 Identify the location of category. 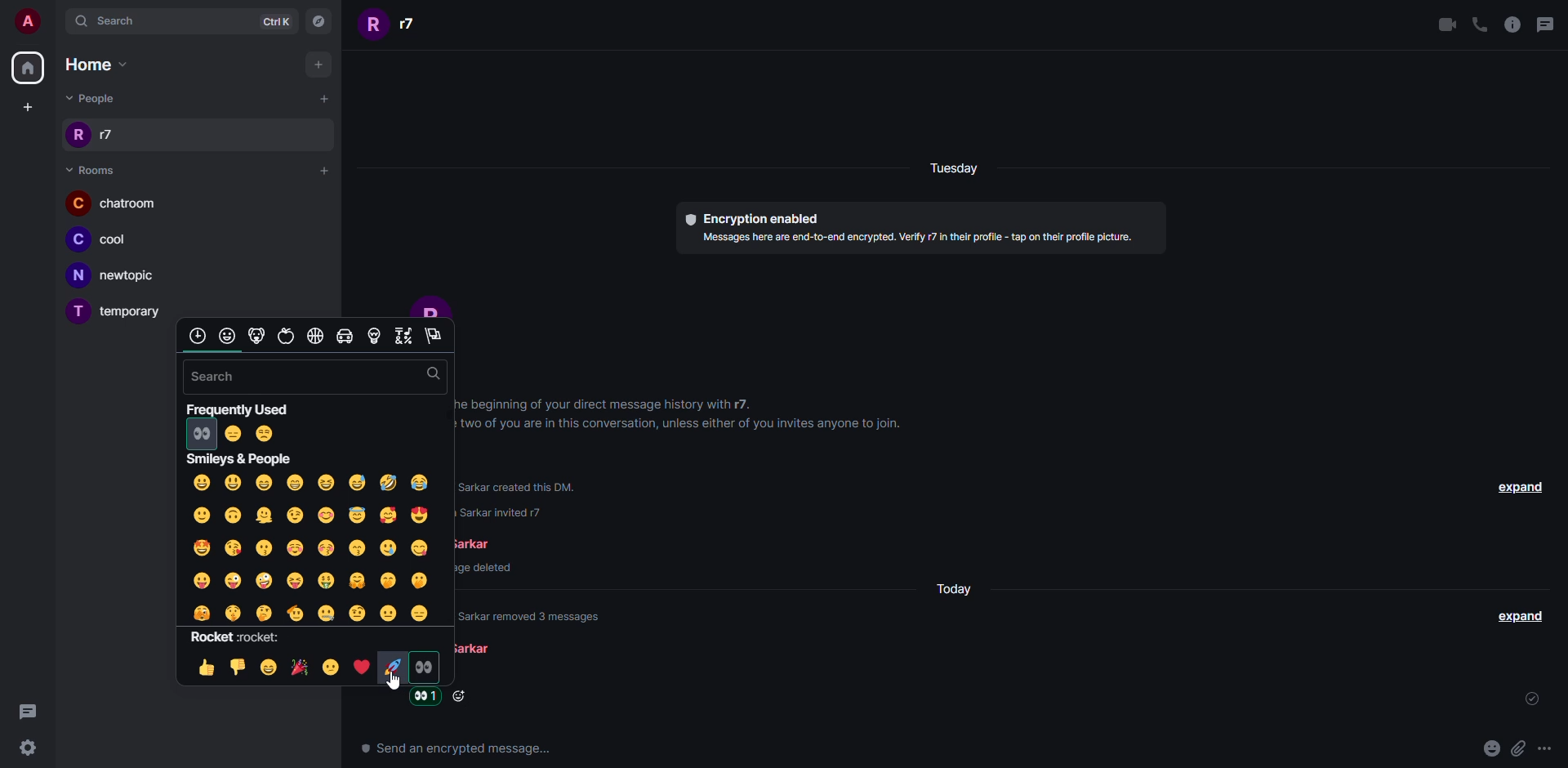
(434, 338).